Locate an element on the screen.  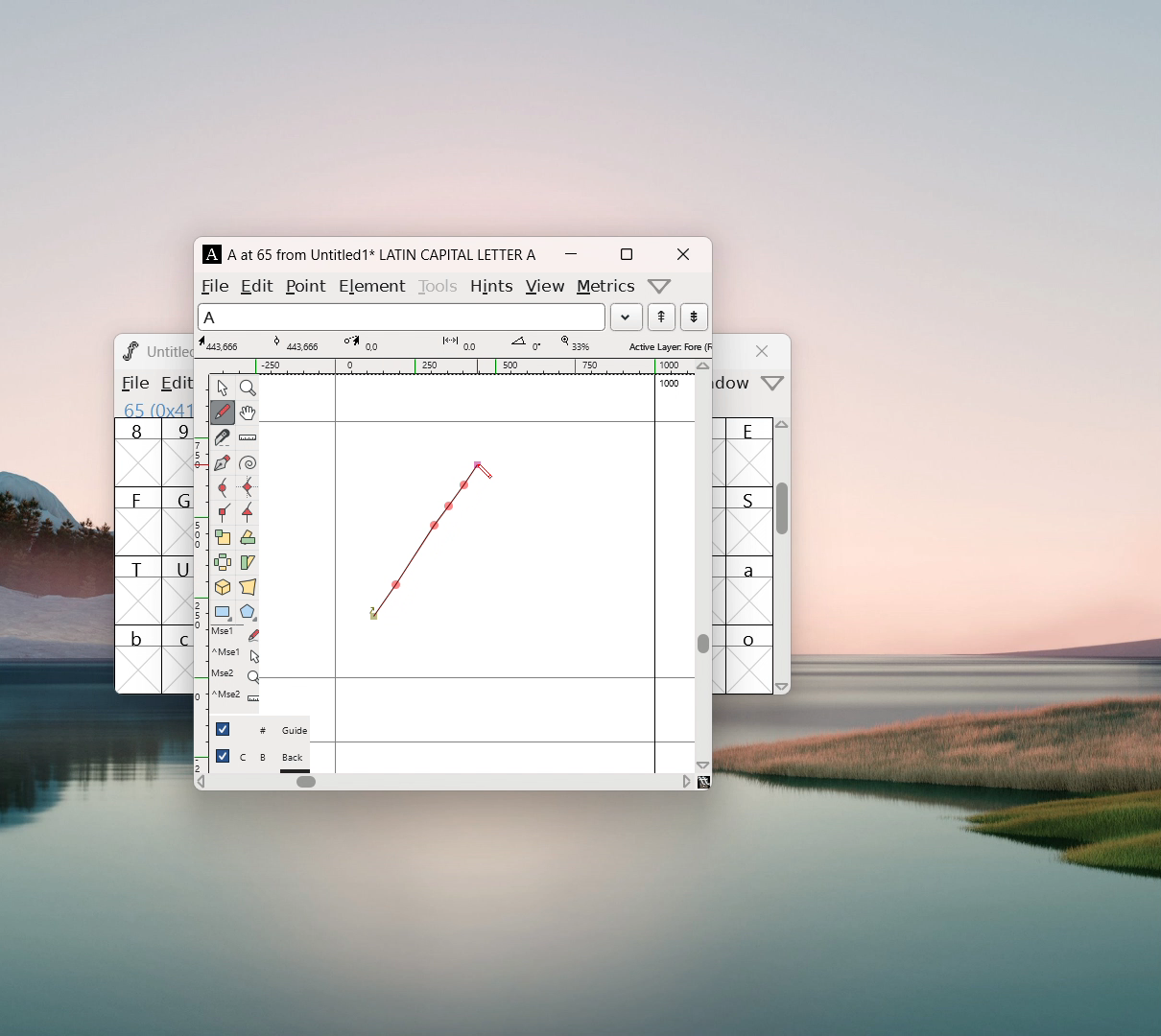
level of maginification is located at coordinates (574, 343).